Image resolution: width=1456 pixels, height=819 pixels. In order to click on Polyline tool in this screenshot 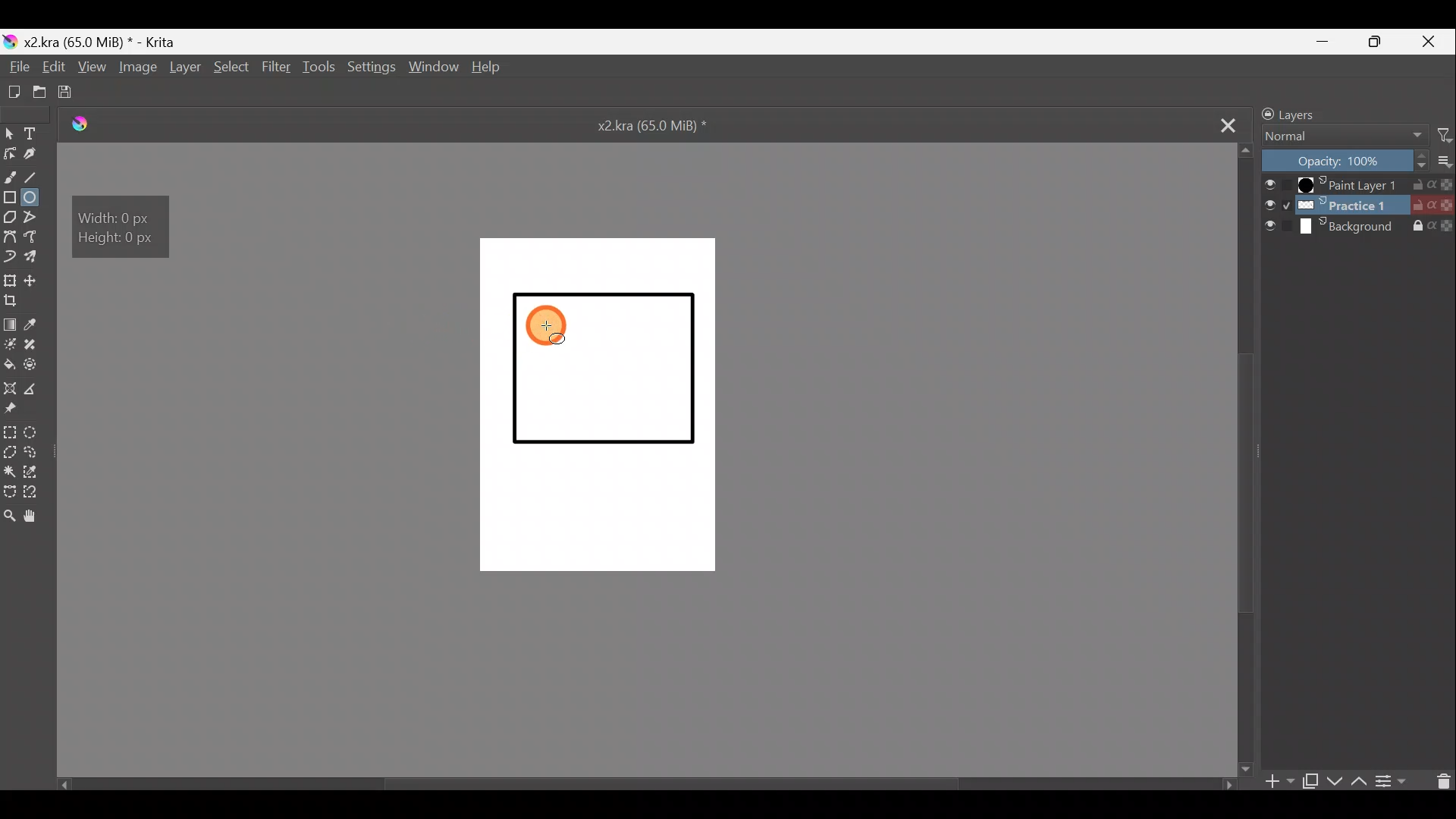, I will do `click(36, 218)`.